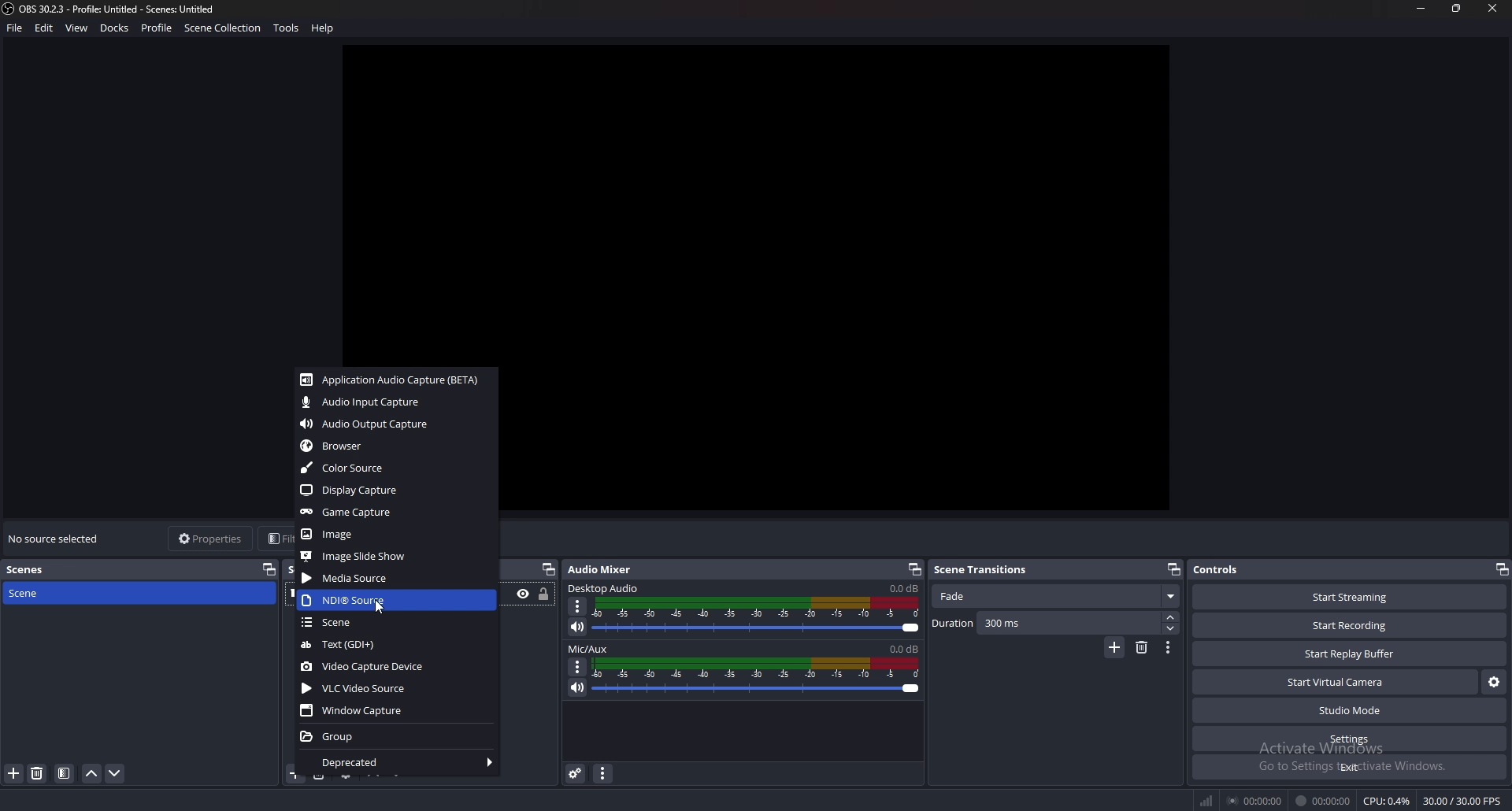  What do you see at coordinates (13, 774) in the screenshot?
I see `add source` at bounding box center [13, 774].